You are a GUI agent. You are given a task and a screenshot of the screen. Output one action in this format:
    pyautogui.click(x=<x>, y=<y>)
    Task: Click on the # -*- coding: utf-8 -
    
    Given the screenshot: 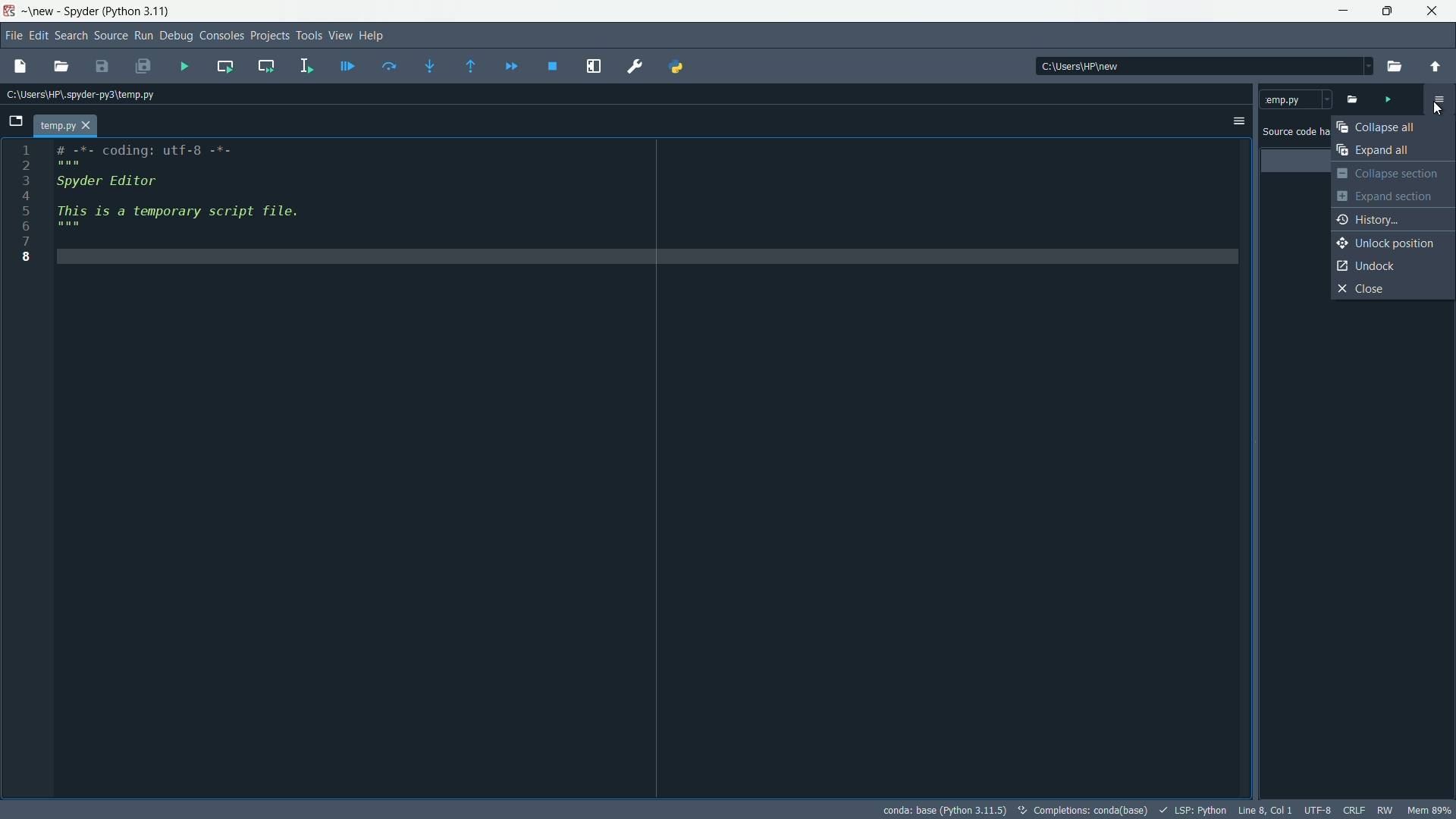 What is the action you would take?
    pyautogui.click(x=134, y=156)
    